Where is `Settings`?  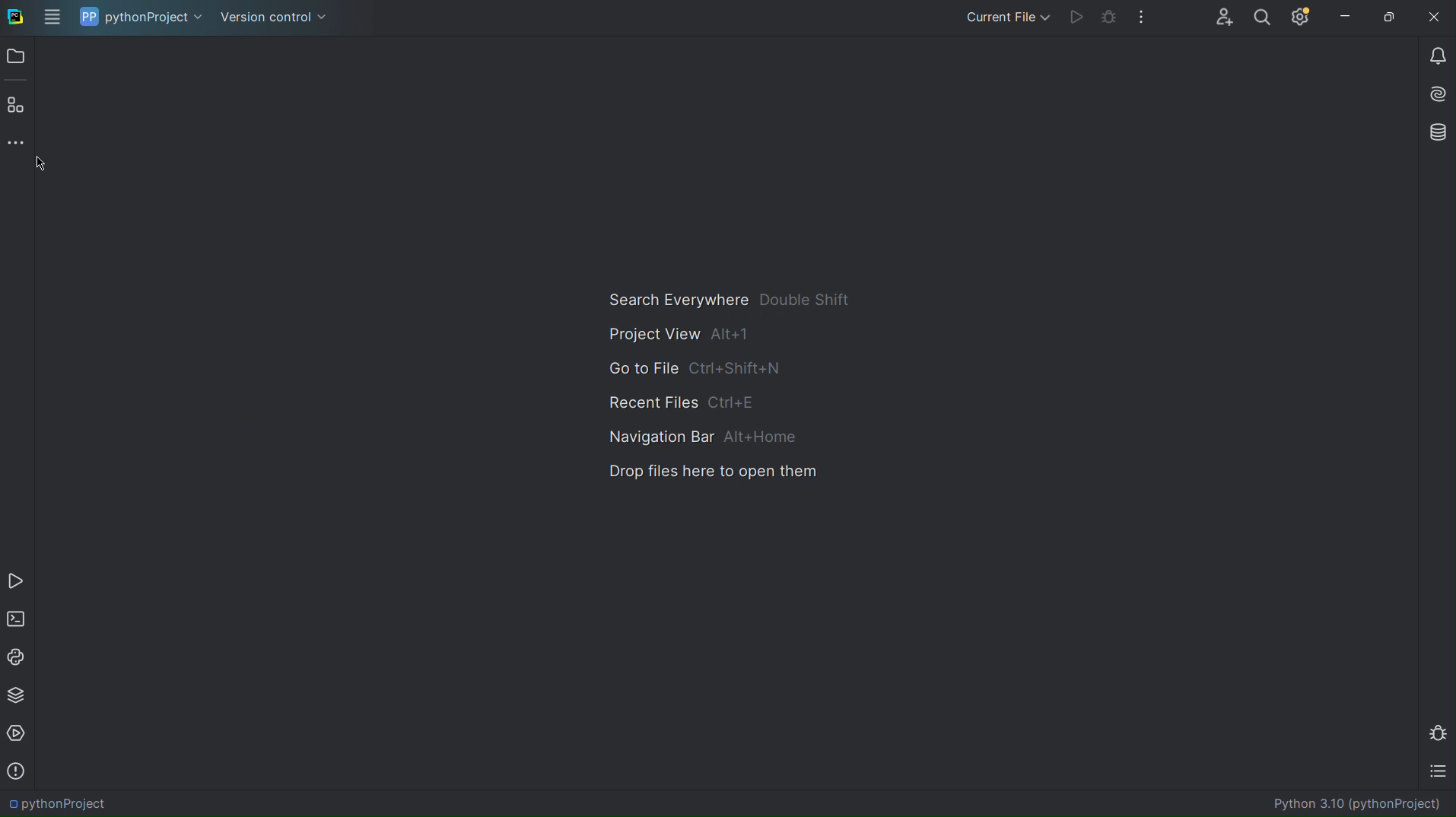 Settings is located at coordinates (1302, 19).